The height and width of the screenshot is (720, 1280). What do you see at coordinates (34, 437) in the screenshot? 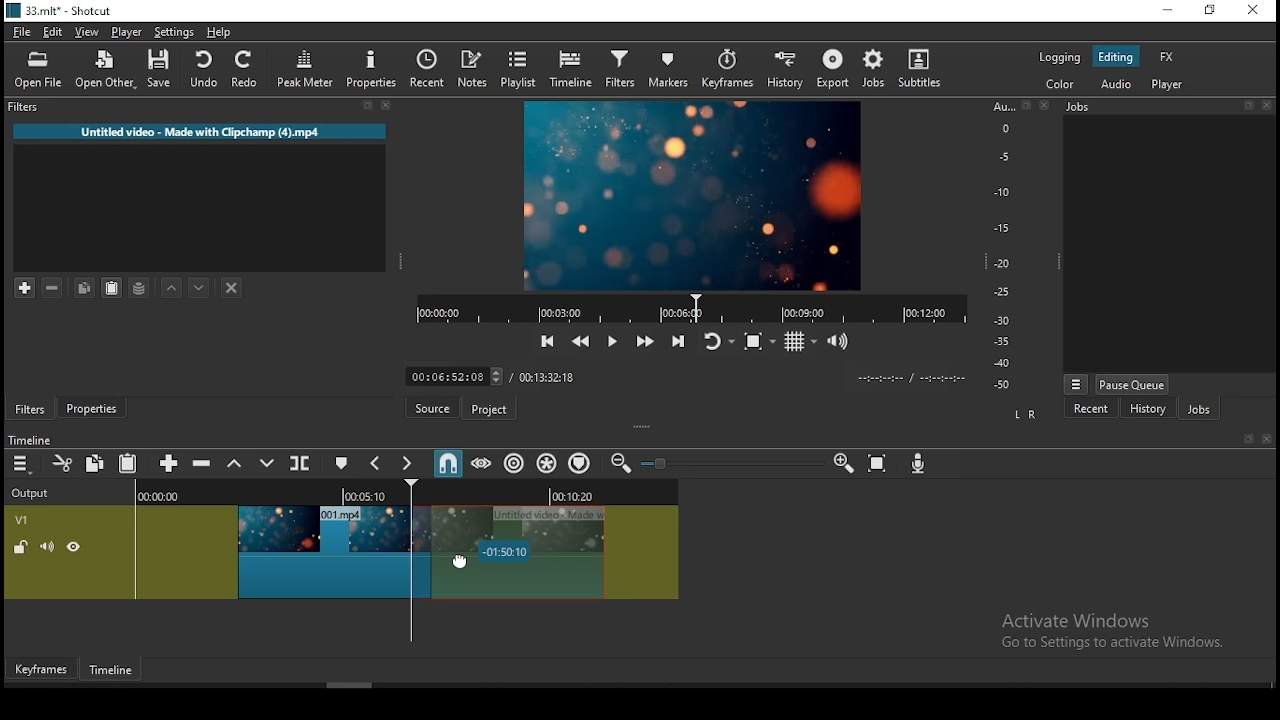
I see `timeline` at bounding box center [34, 437].